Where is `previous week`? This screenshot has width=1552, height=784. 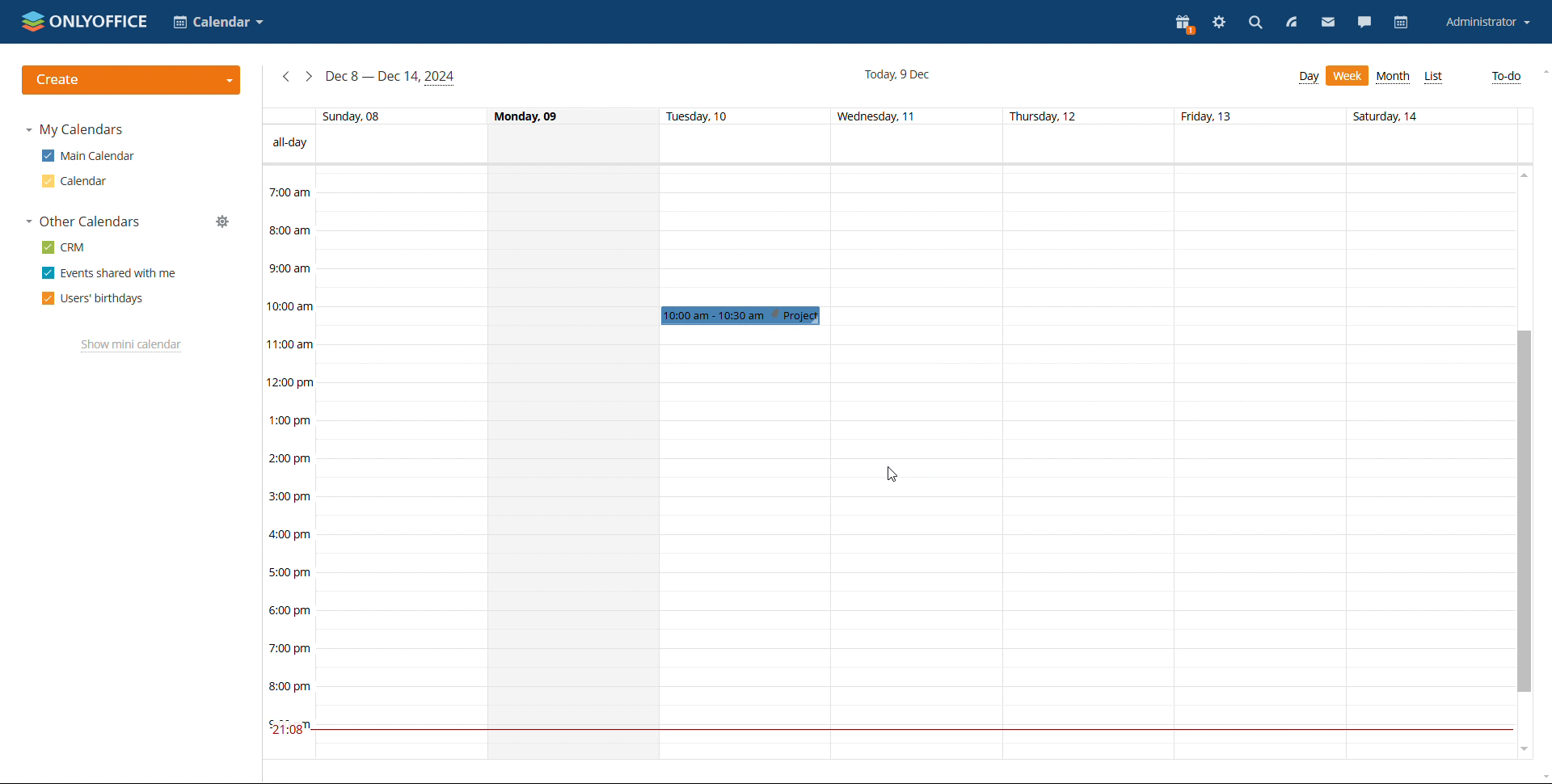 previous week is located at coordinates (286, 77).